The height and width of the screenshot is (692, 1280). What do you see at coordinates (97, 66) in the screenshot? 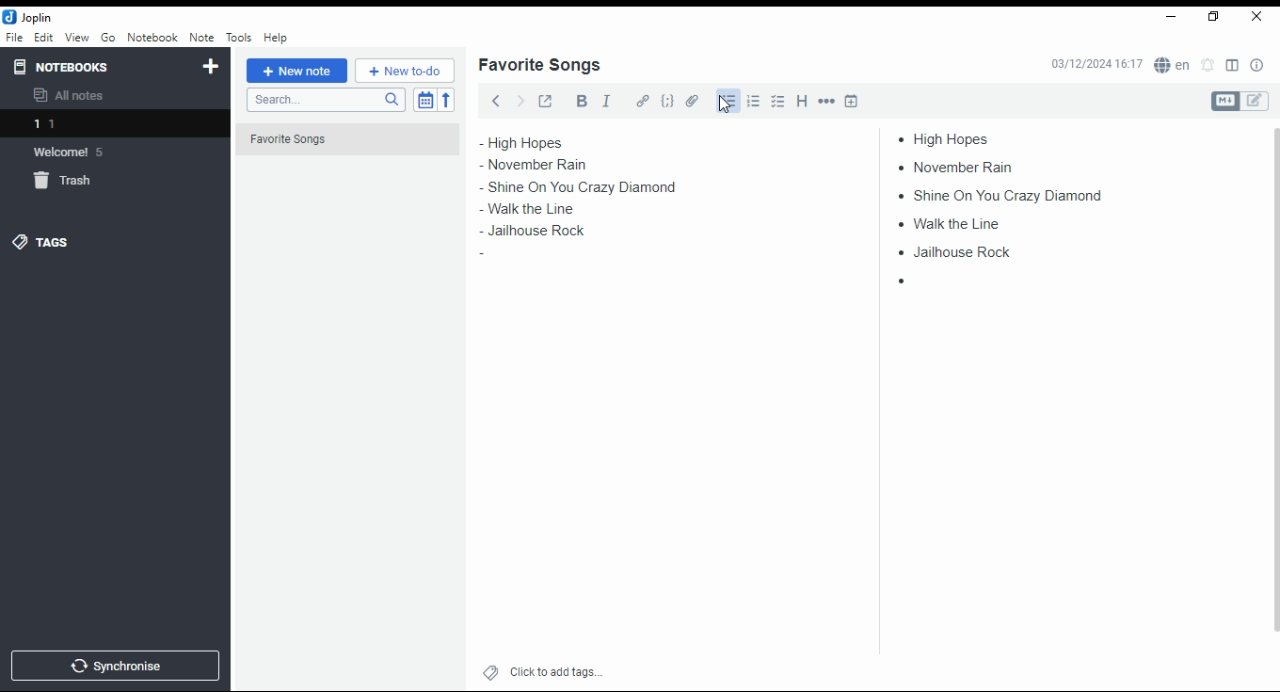
I see `notebooks` at bounding box center [97, 66].